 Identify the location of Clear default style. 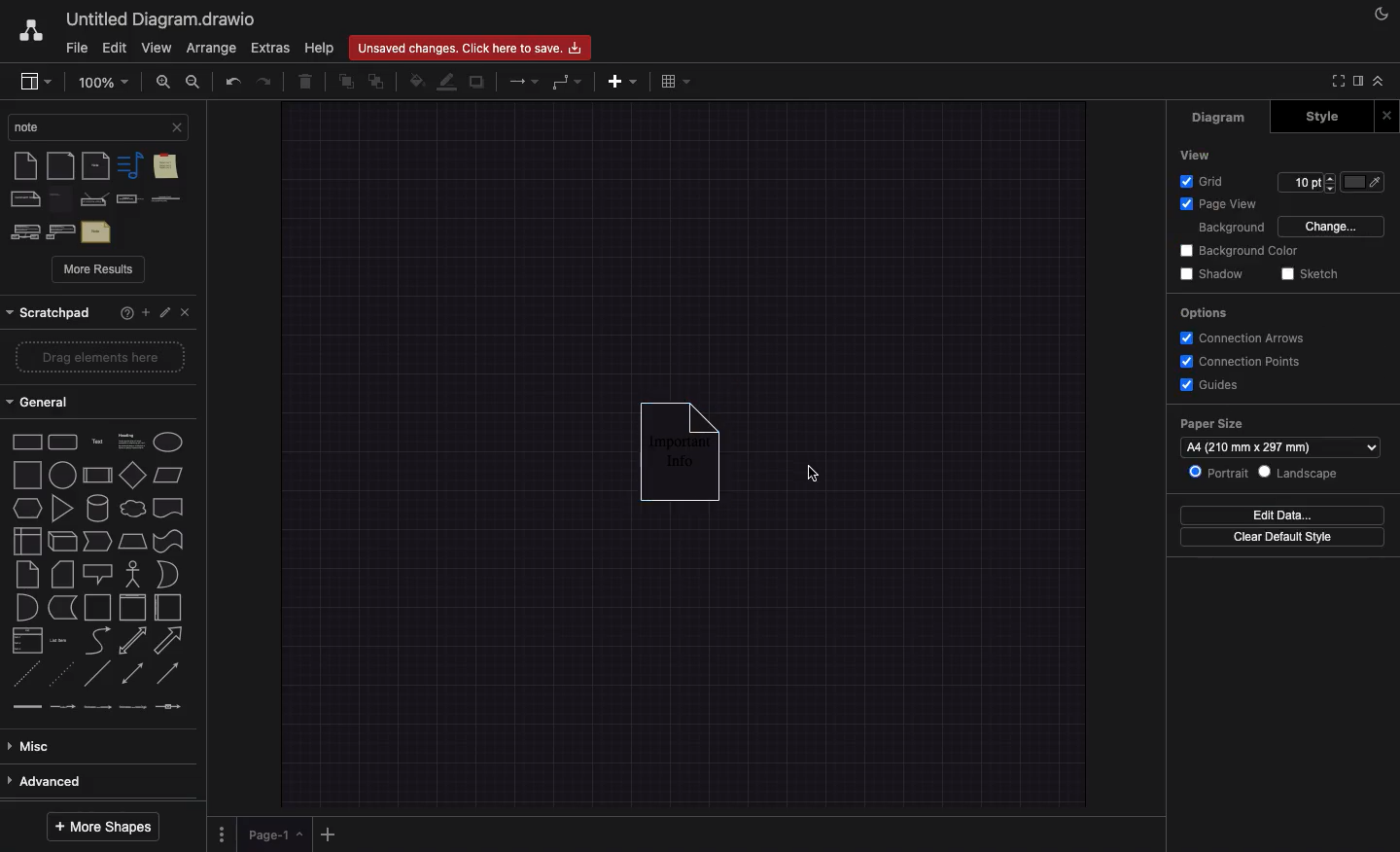
(1281, 538).